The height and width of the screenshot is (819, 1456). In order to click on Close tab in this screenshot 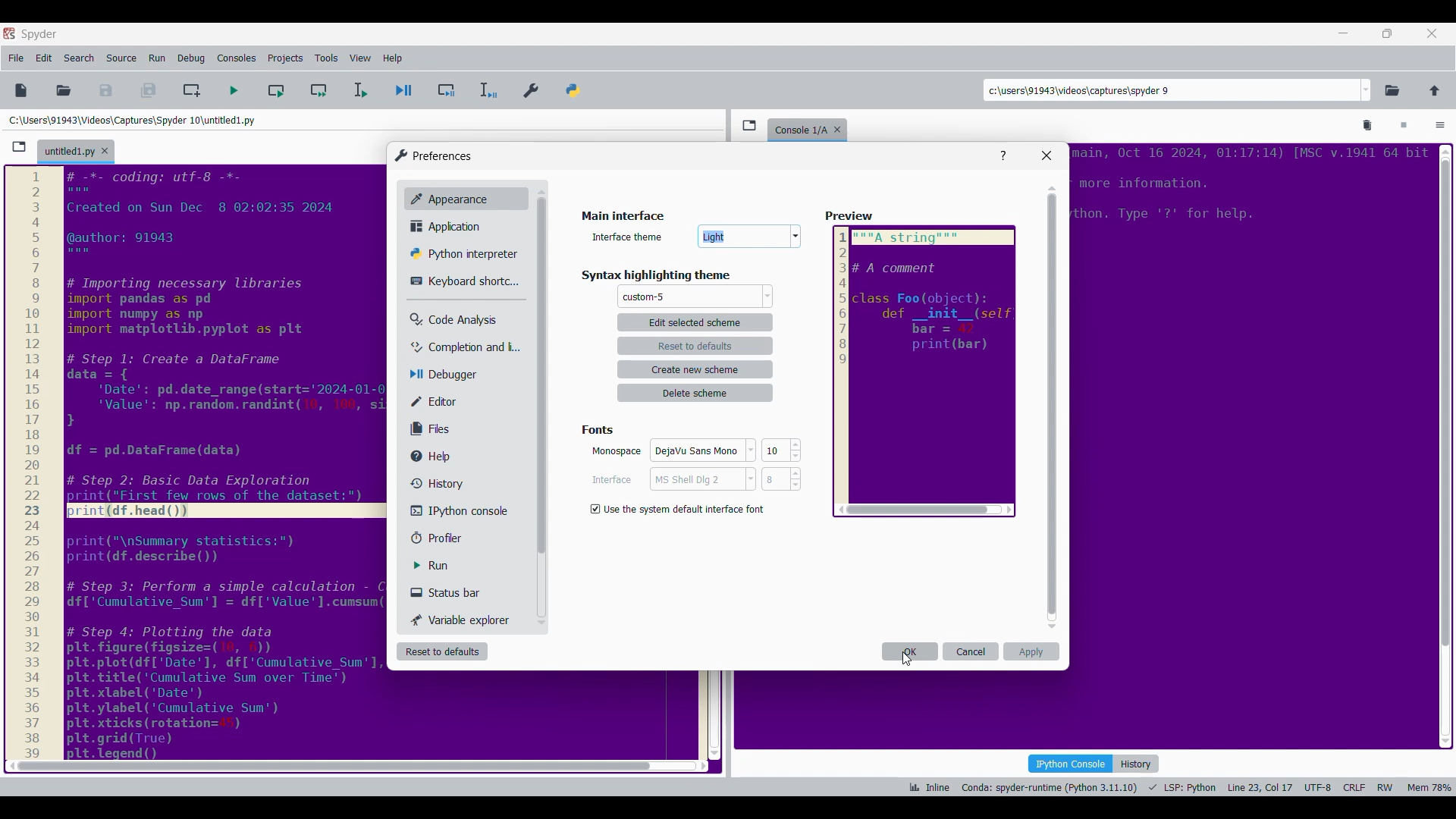, I will do `click(1432, 33)`.